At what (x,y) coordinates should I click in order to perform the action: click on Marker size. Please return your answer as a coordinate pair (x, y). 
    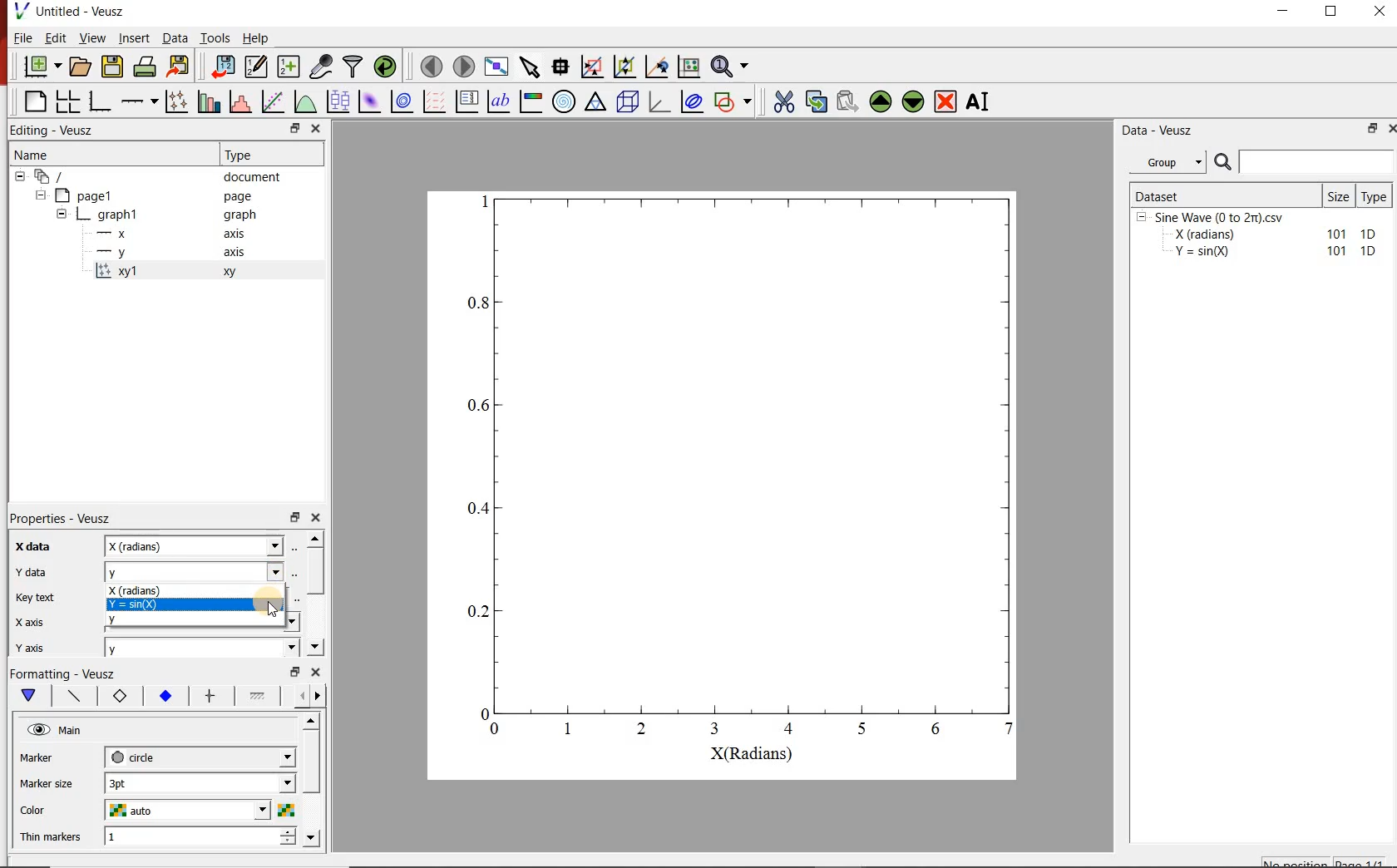
    Looking at the image, I should click on (47, 756).